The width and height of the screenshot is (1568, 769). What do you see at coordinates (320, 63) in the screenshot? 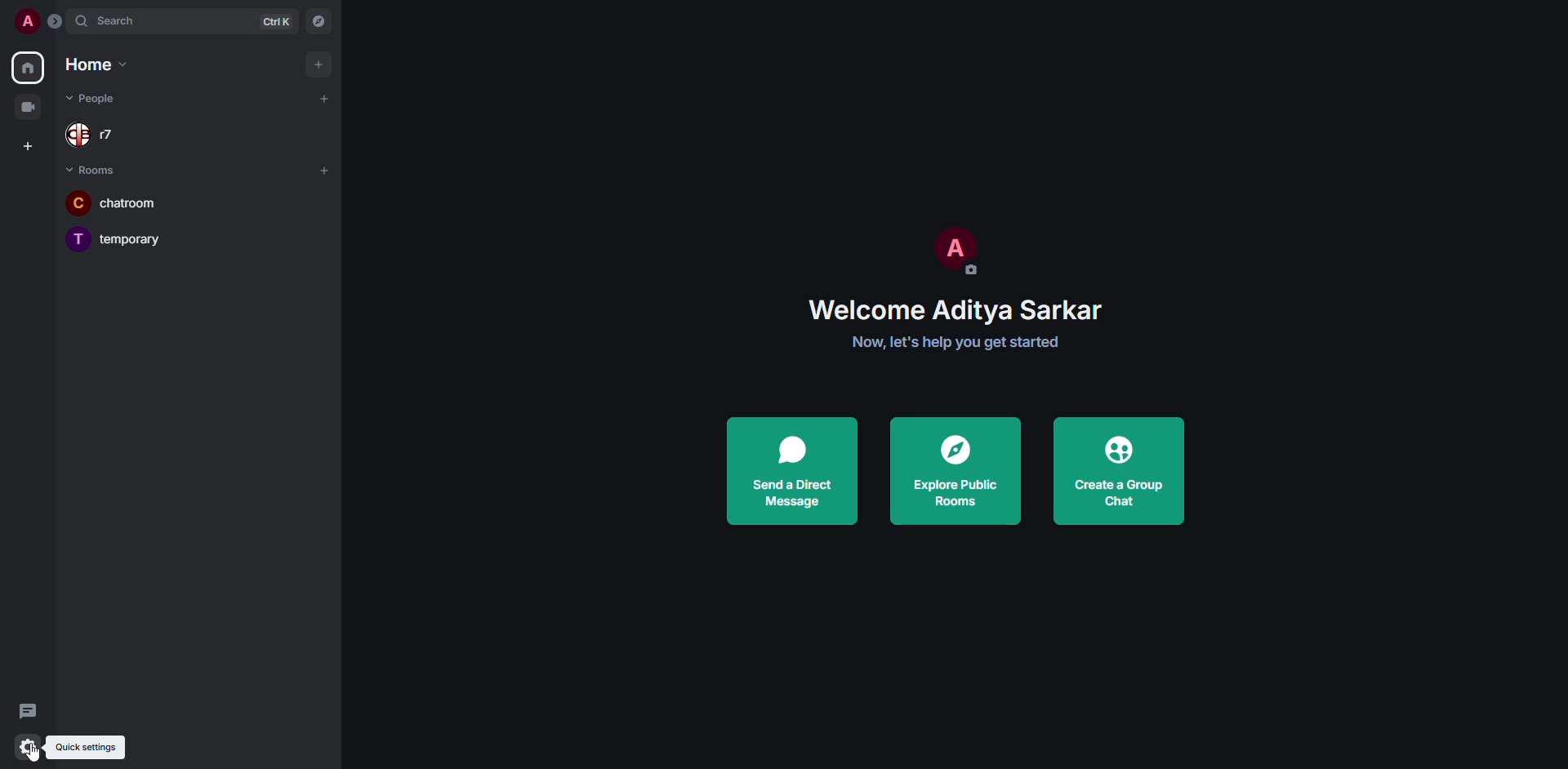
I see `add` at bounding box center [320, 63].